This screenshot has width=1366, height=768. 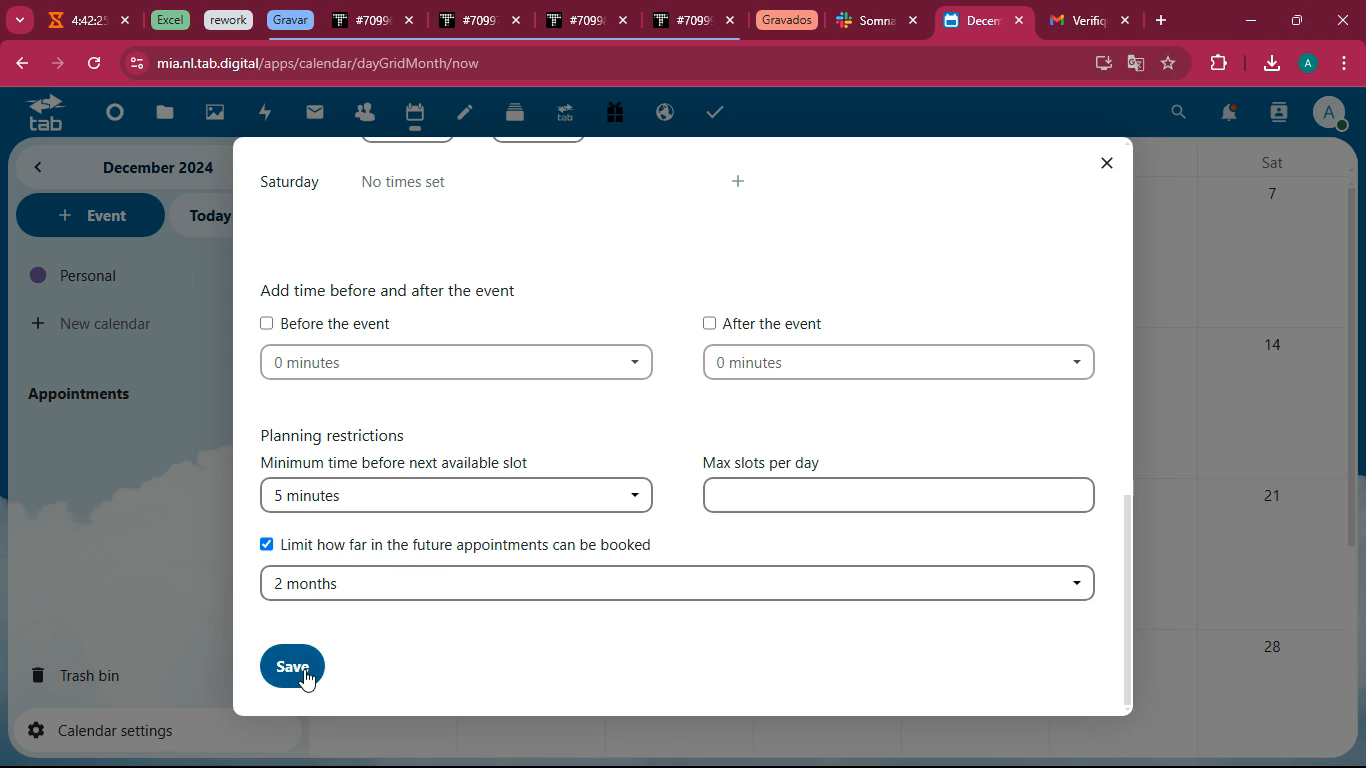 I want to click on personal, so click(x=116, y=275).